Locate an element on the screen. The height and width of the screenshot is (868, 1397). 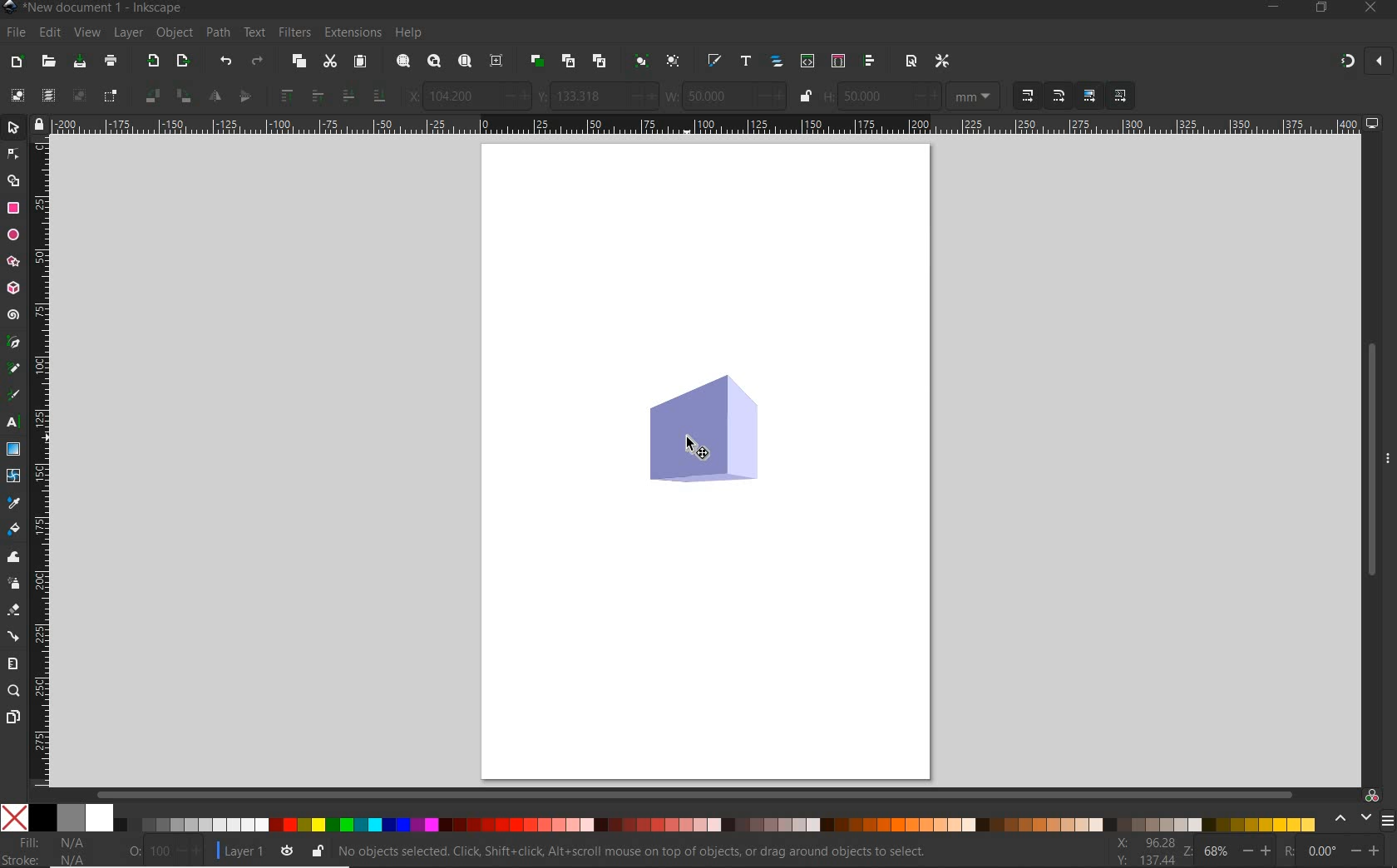
increase/decrease is located at coordinates (1366, 851).